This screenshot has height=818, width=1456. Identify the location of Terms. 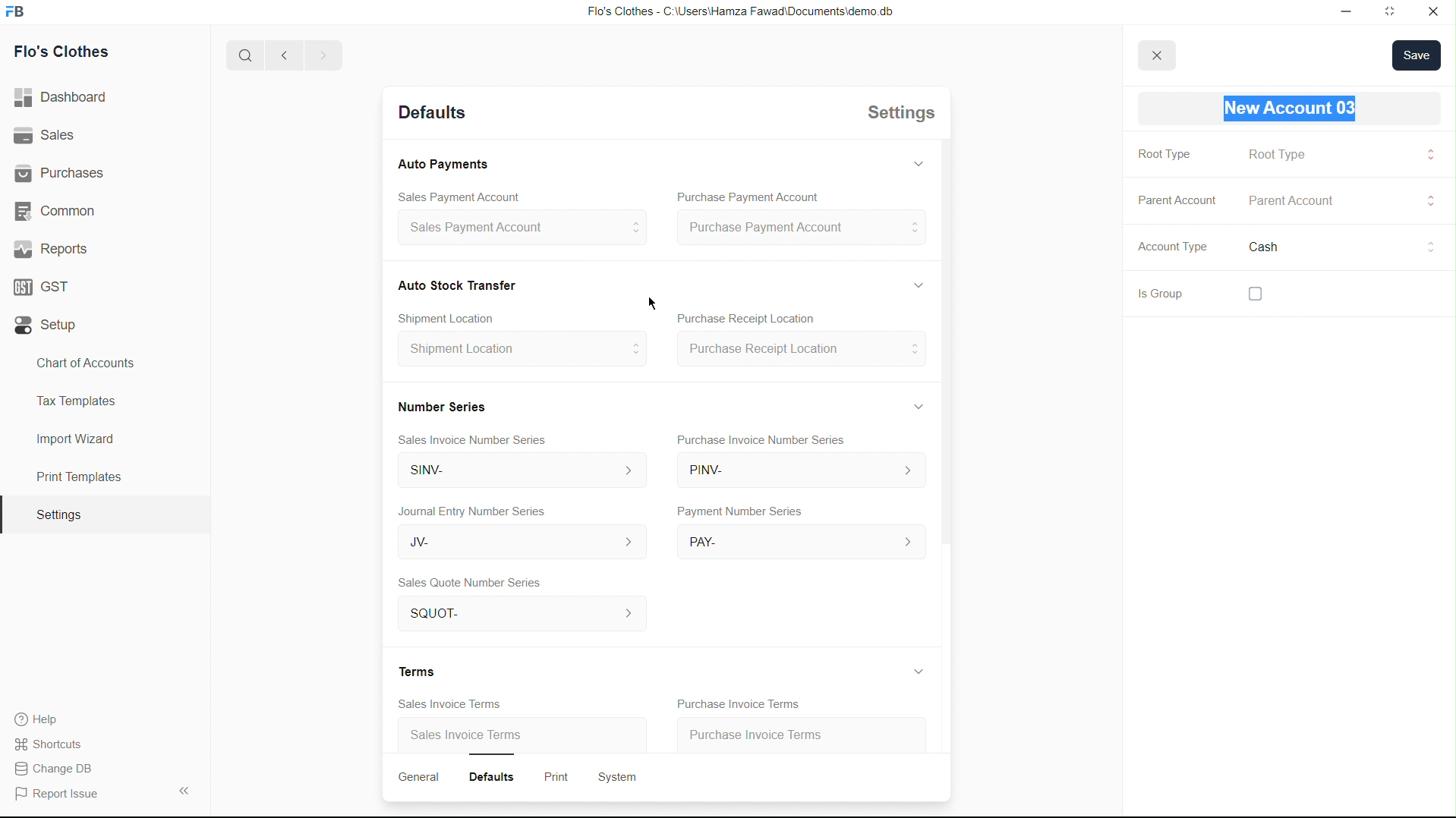
(421, 671).